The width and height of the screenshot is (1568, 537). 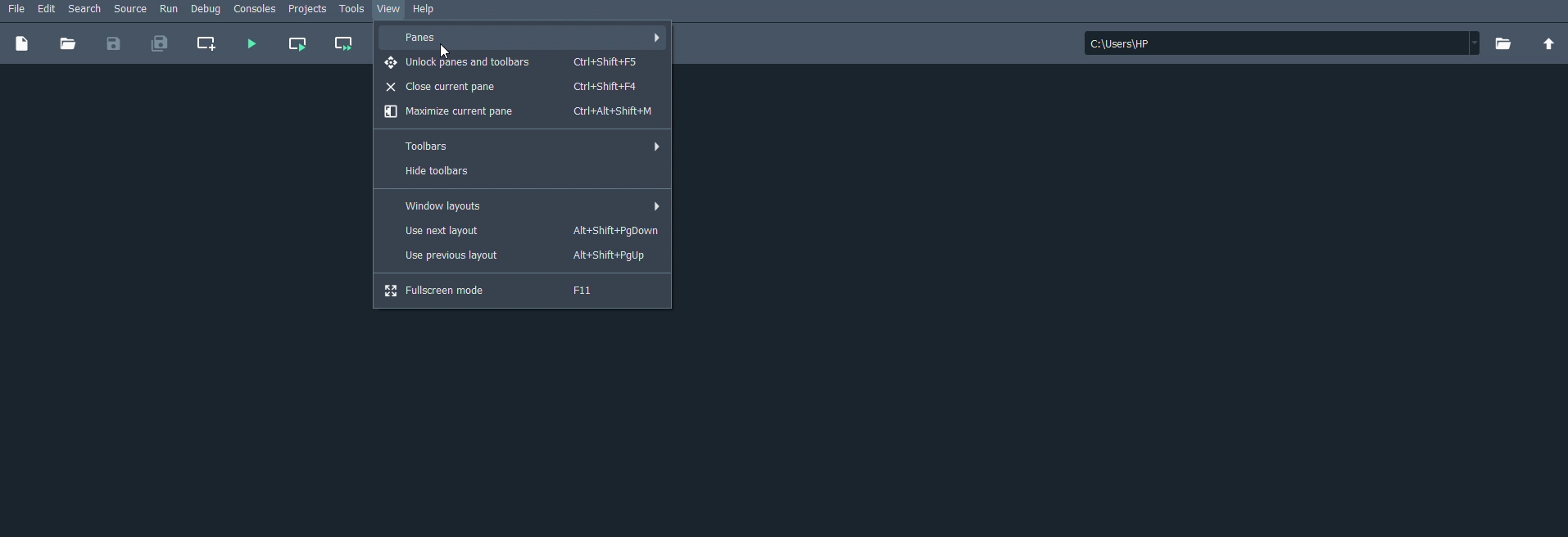 I want to click on Search, so click(x=86, y=9).